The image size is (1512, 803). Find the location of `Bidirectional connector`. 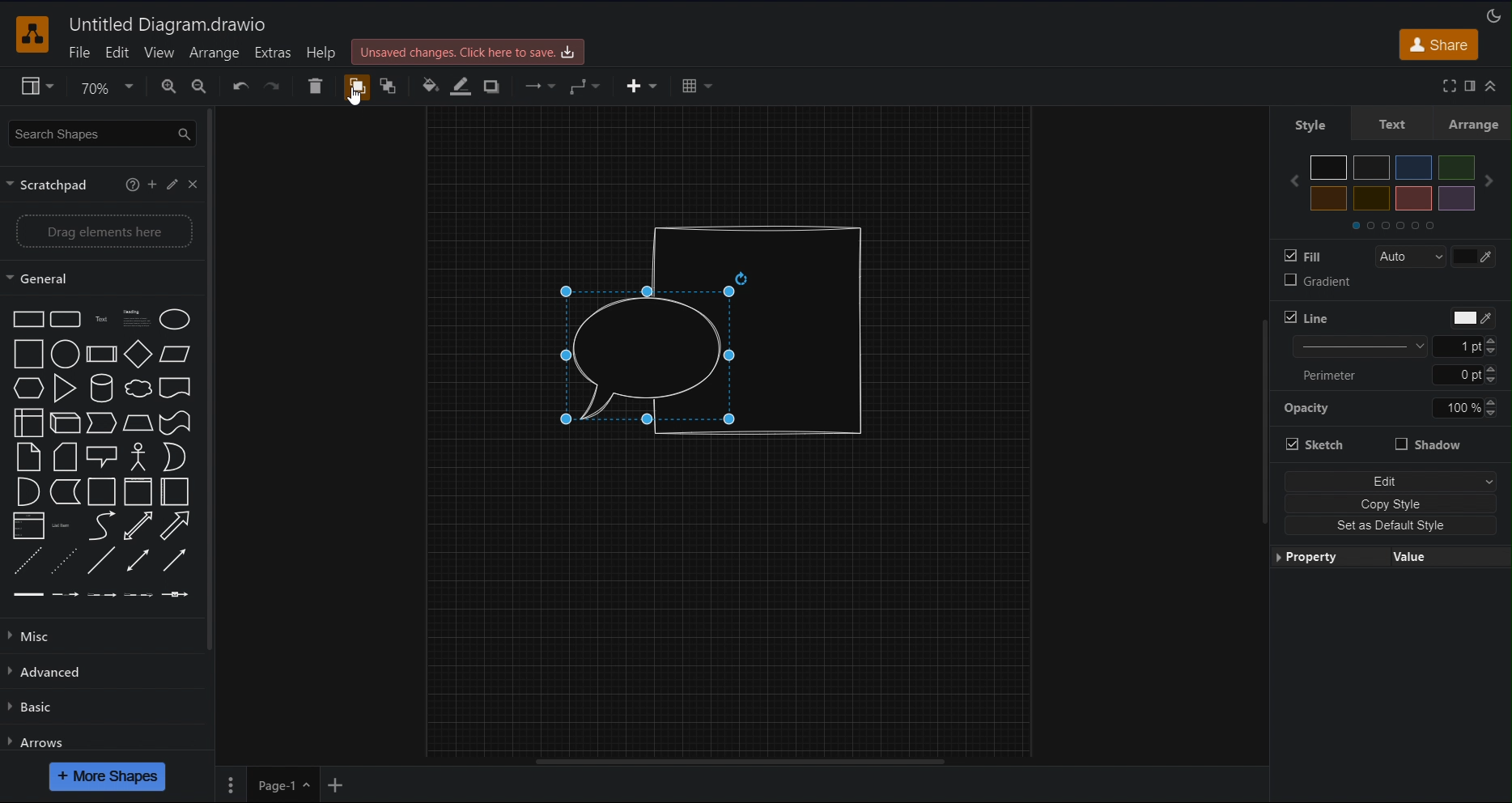

Bidirectional connector is located at coordinates (138, 560).